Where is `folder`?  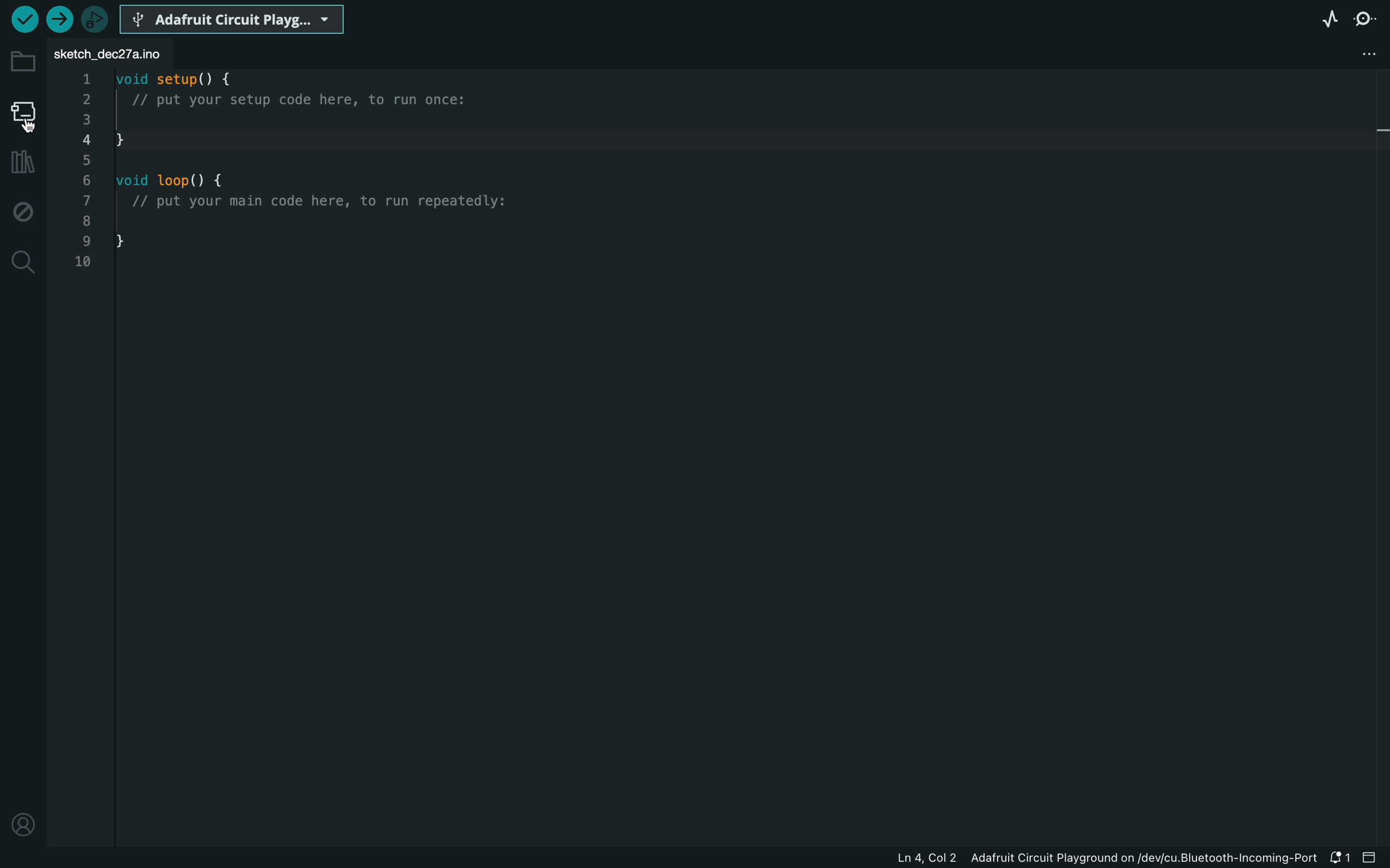
folder is located at coordinates (22, 61).